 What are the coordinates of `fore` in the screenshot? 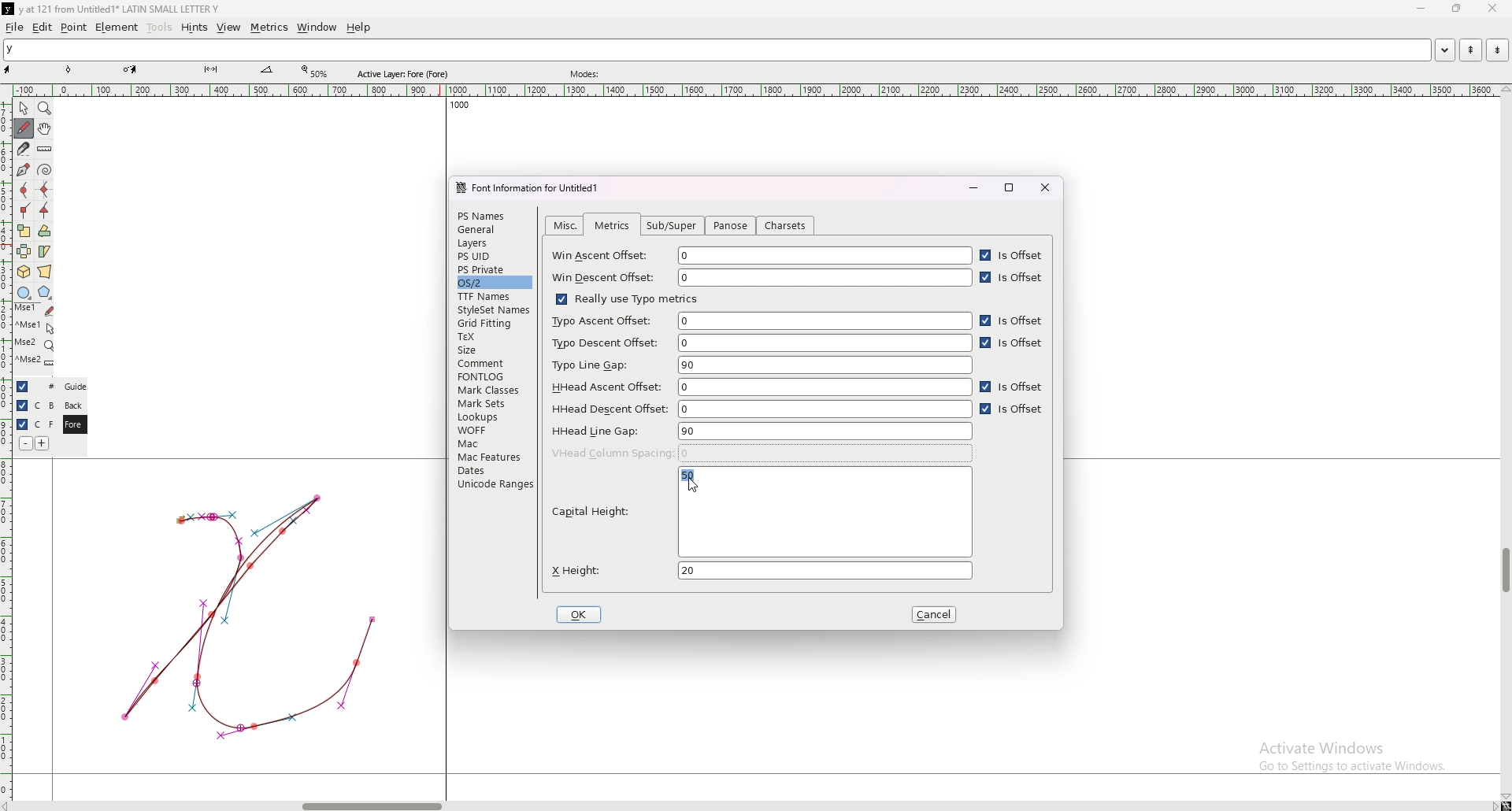 It's located at (73, 425).